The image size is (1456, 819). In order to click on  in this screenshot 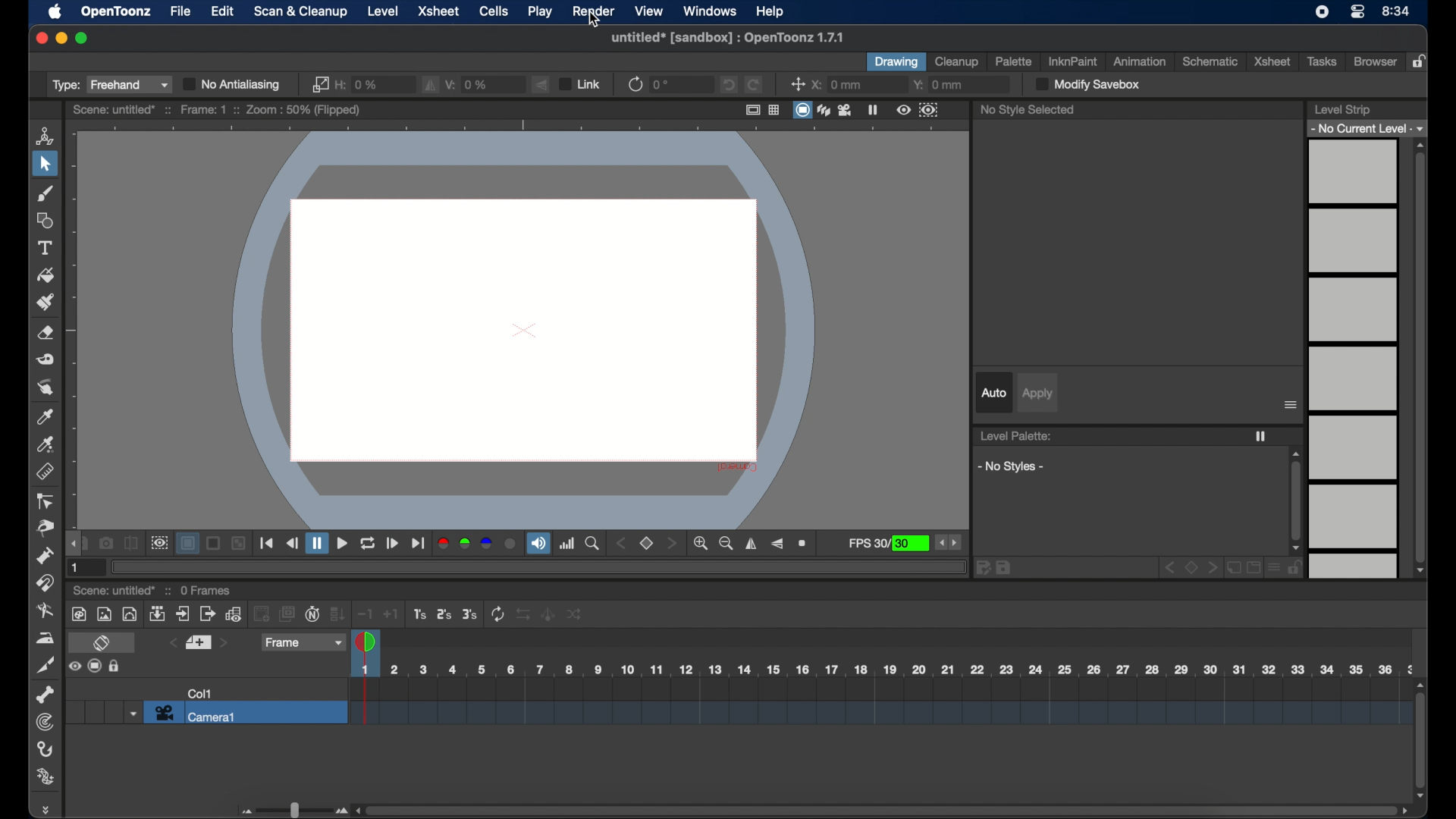, I will do `click(79, 613)`.